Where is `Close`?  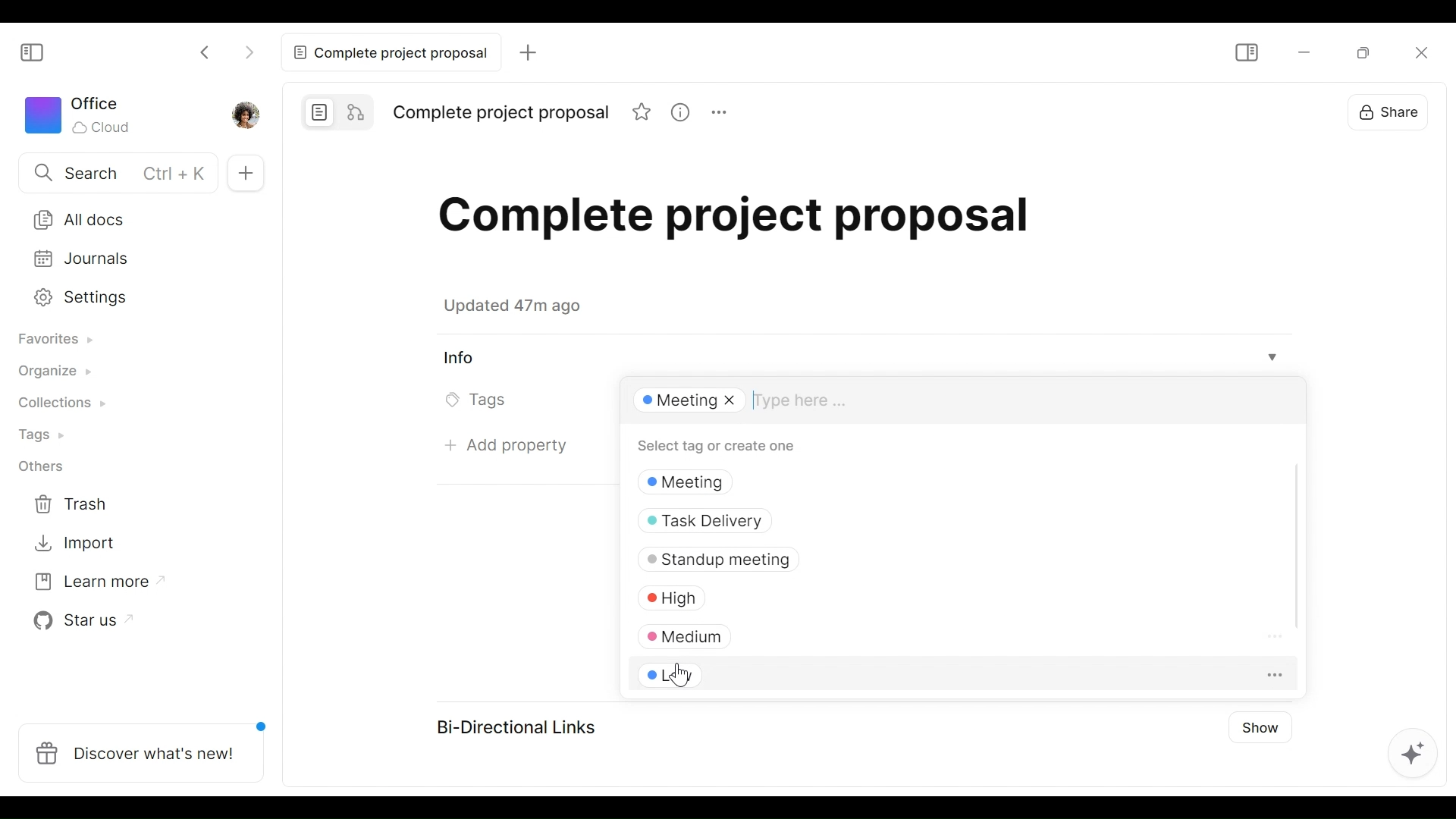
Close is located at coordinates (1418, 52).